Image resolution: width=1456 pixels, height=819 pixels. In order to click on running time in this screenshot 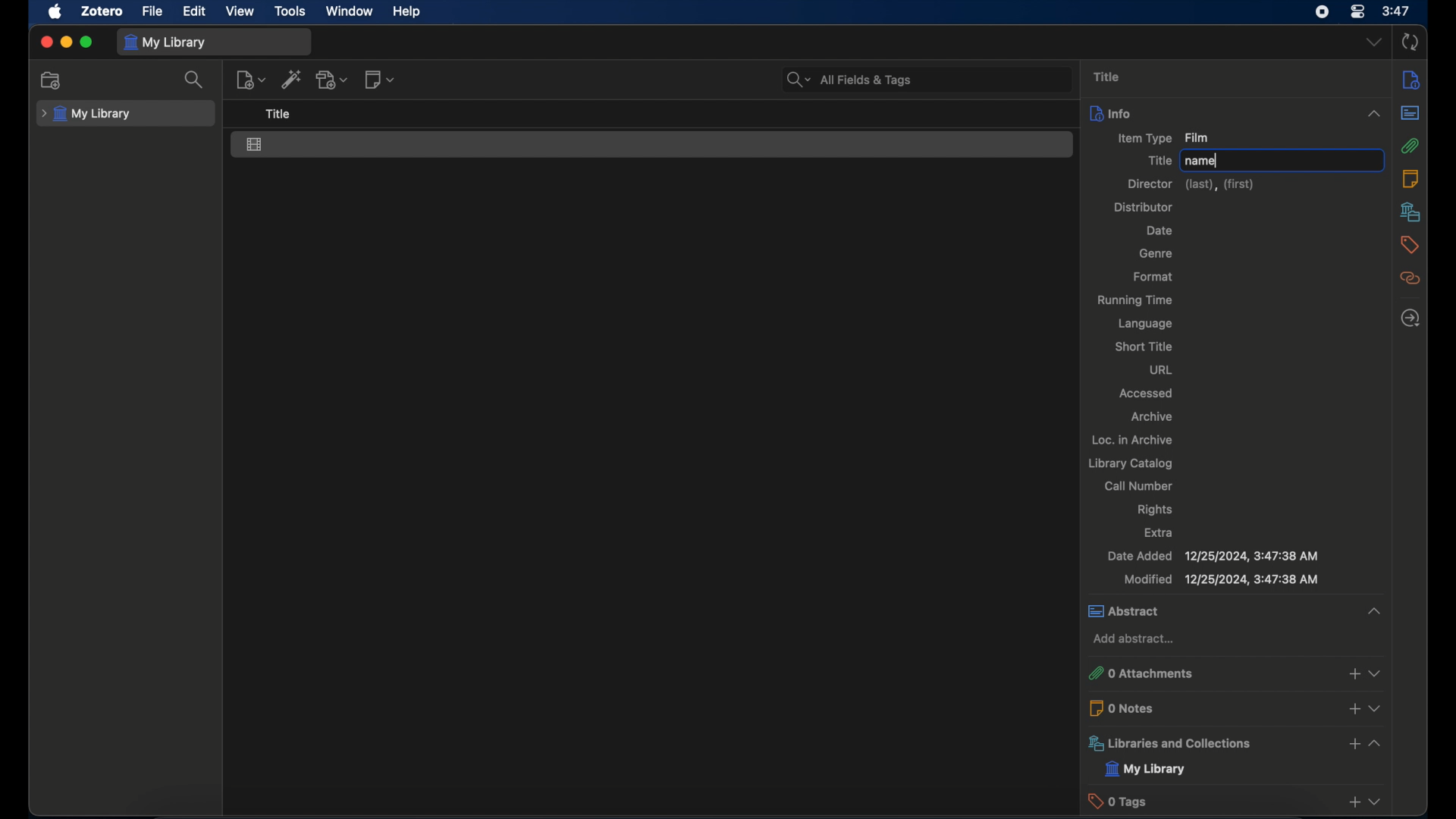, I will do `click(1136, 300)`.